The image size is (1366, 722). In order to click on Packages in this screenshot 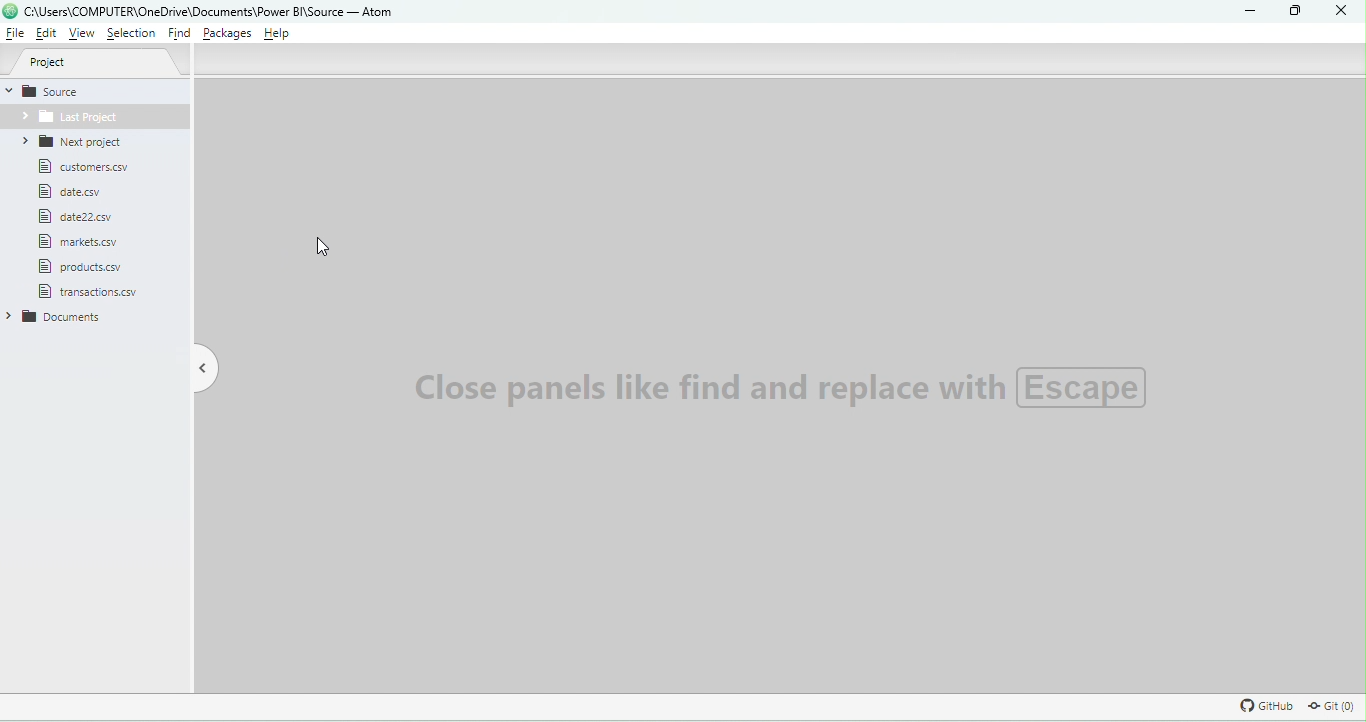, I will do `click(228, 34)`.